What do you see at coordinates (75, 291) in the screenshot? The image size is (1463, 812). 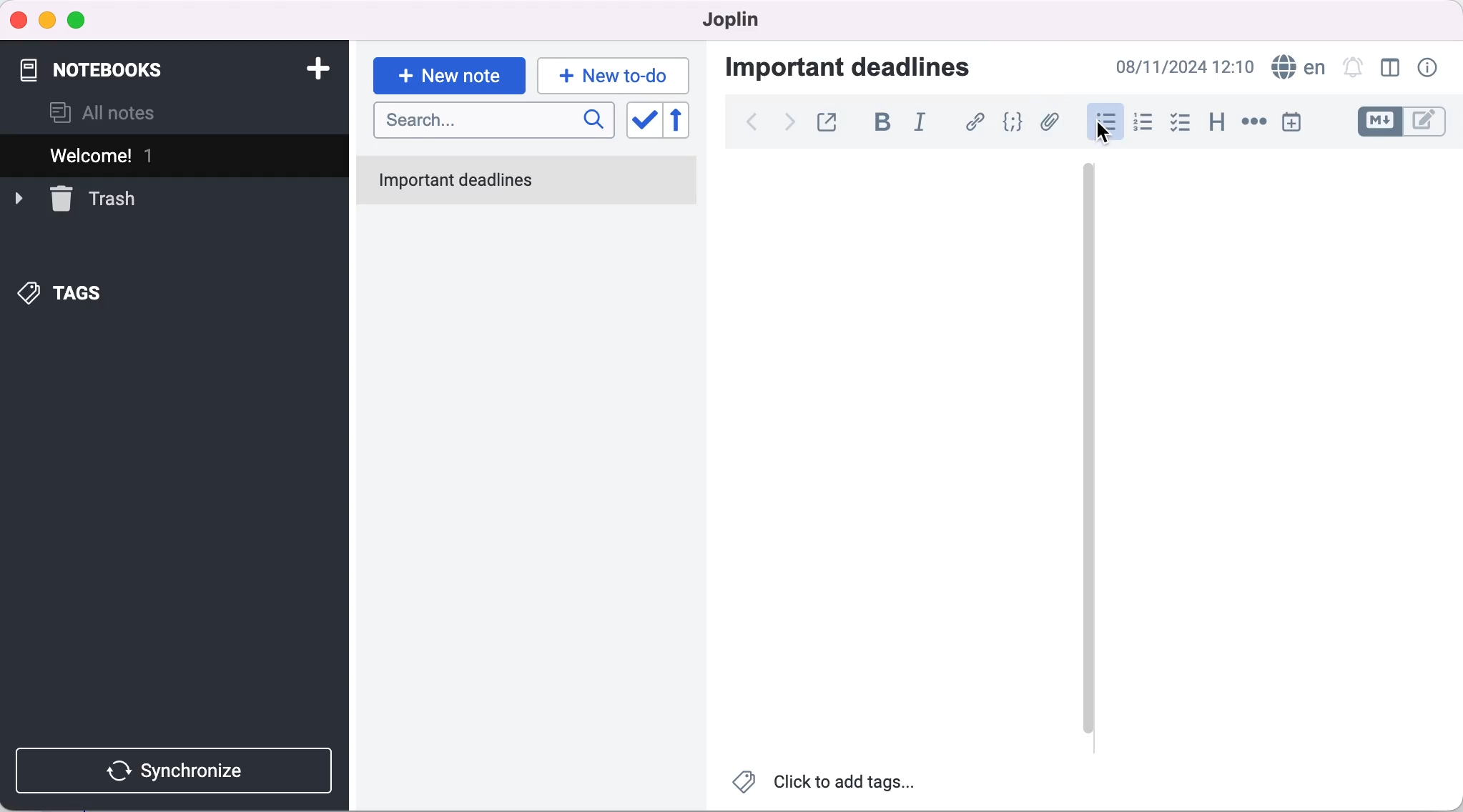 I see `tags` at bounding box center [75, 291].